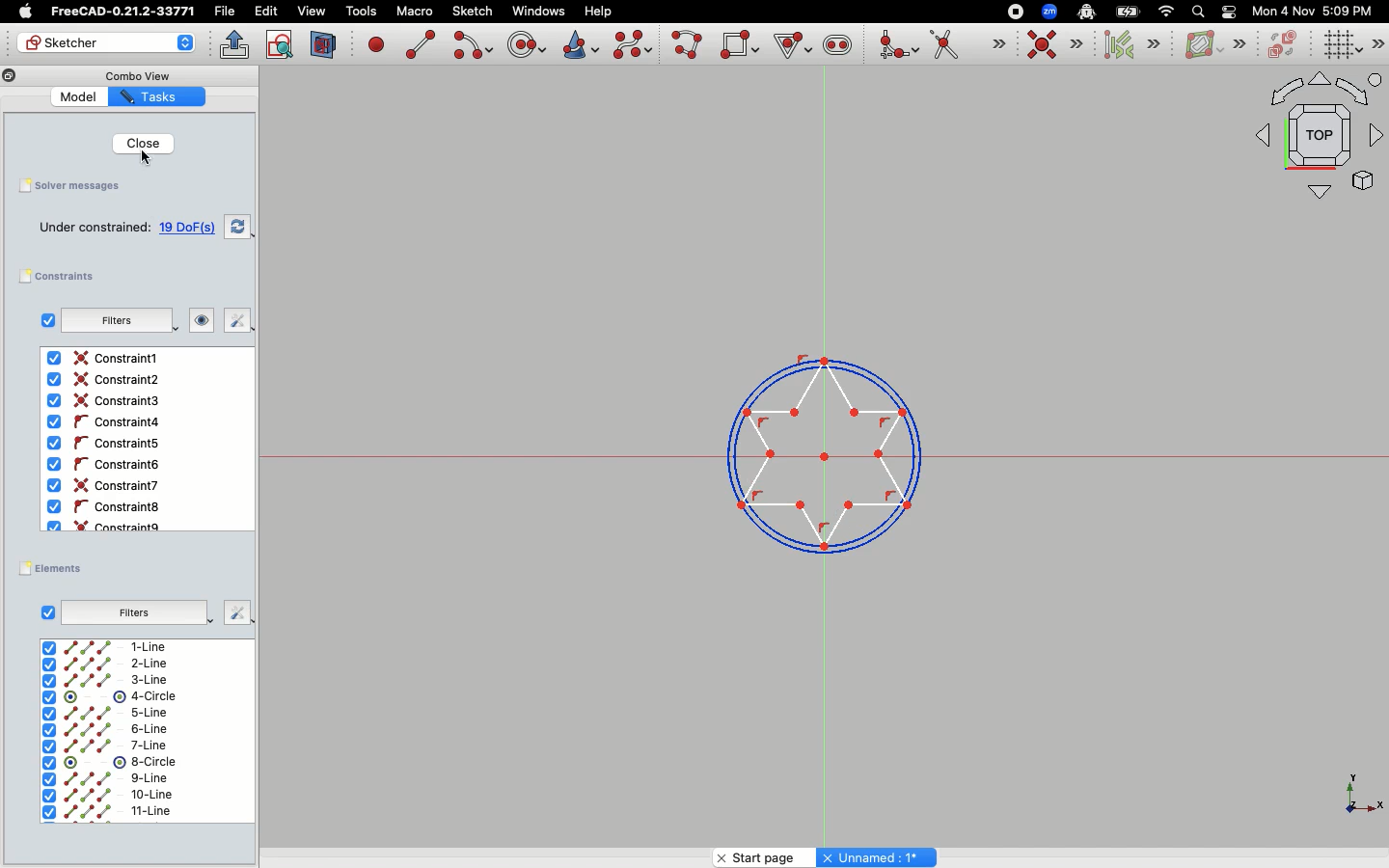 The image size is (1389, 868). What do you see at coordinates (107, 713) in the screenshot?
I see `5-line` at bounding box center [107, 713].